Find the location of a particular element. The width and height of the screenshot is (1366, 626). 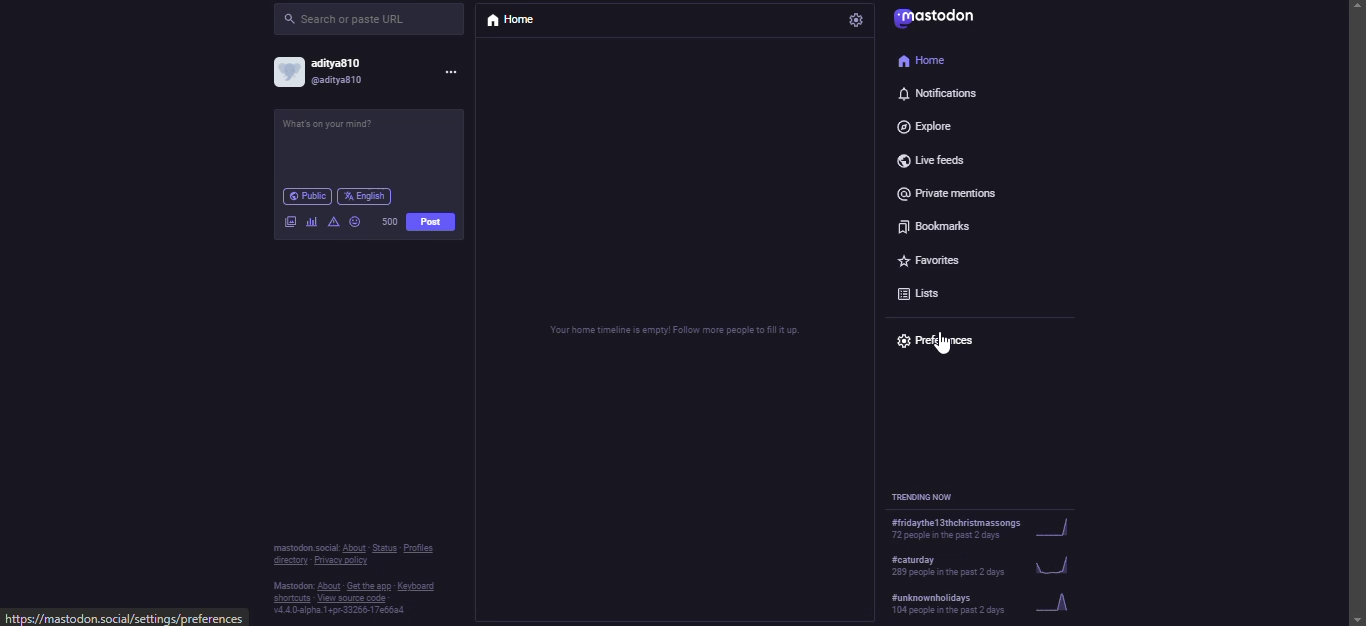

trending is located at coordinates (1001, 526).